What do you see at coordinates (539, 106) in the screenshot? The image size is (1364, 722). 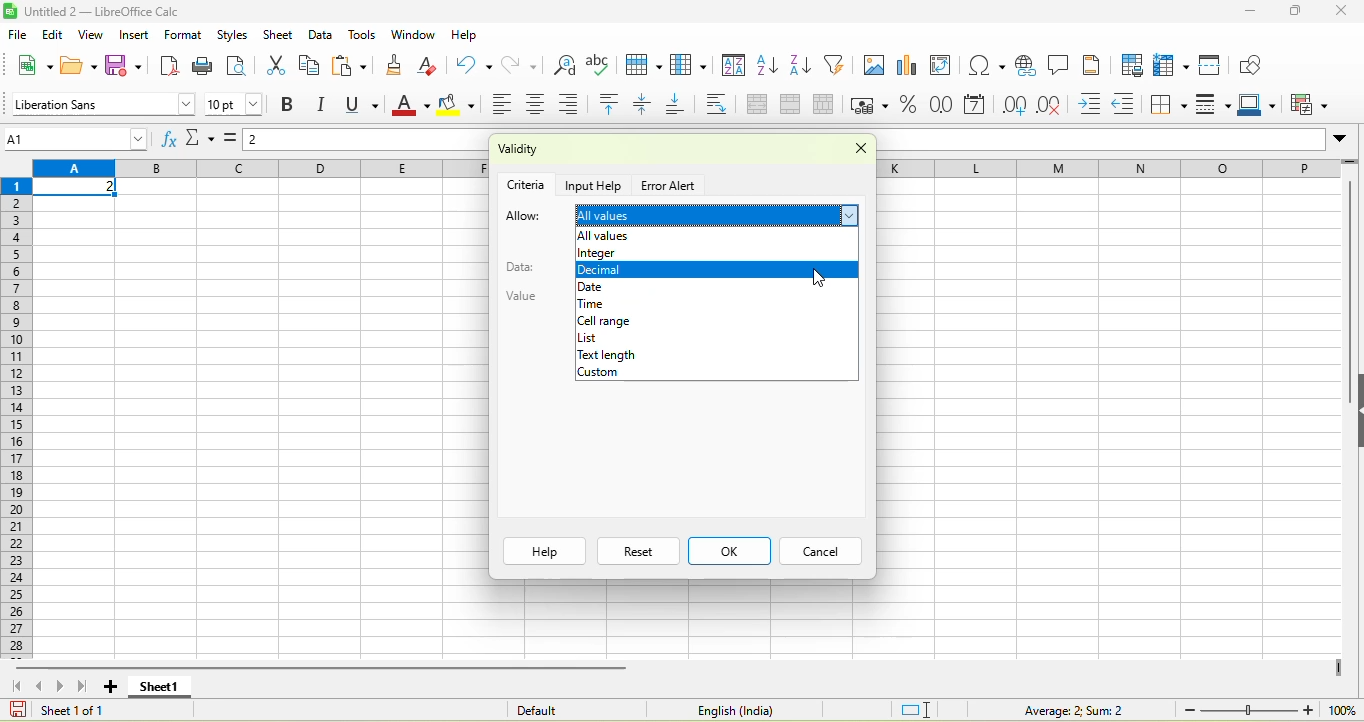 I see `align center` at bounding box center [539, 106].